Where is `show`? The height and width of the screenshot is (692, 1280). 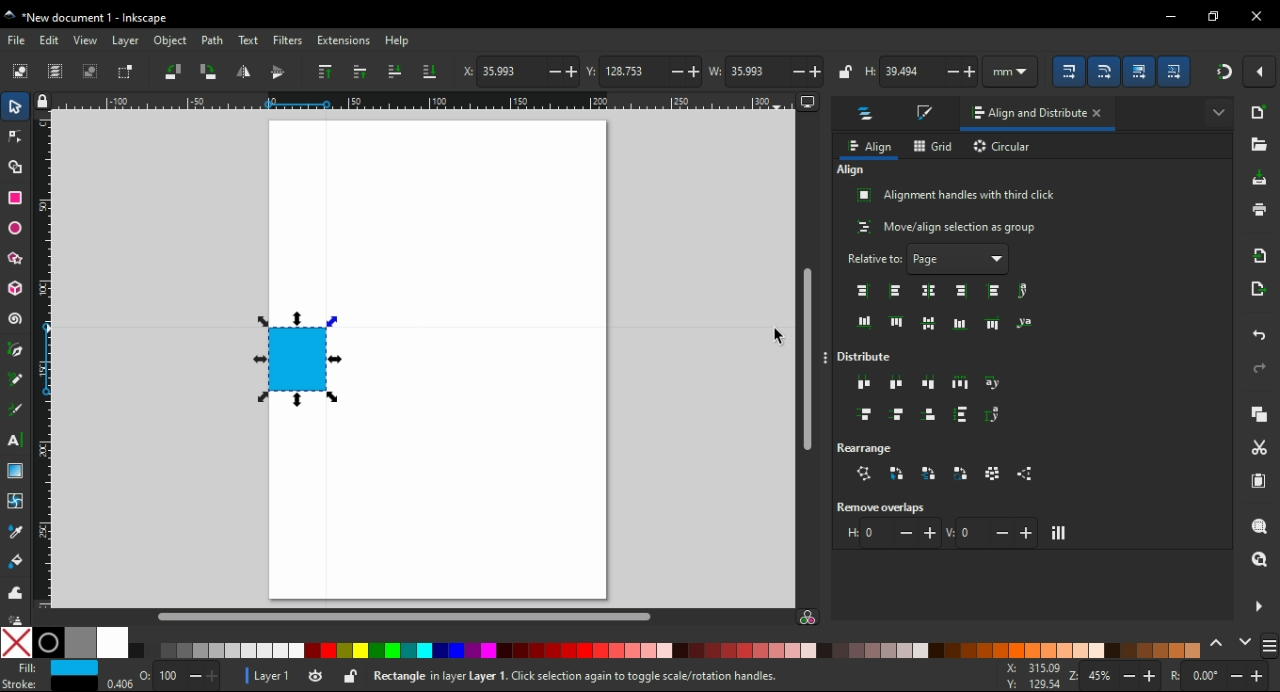
show is located at coordinates (1000, 259).